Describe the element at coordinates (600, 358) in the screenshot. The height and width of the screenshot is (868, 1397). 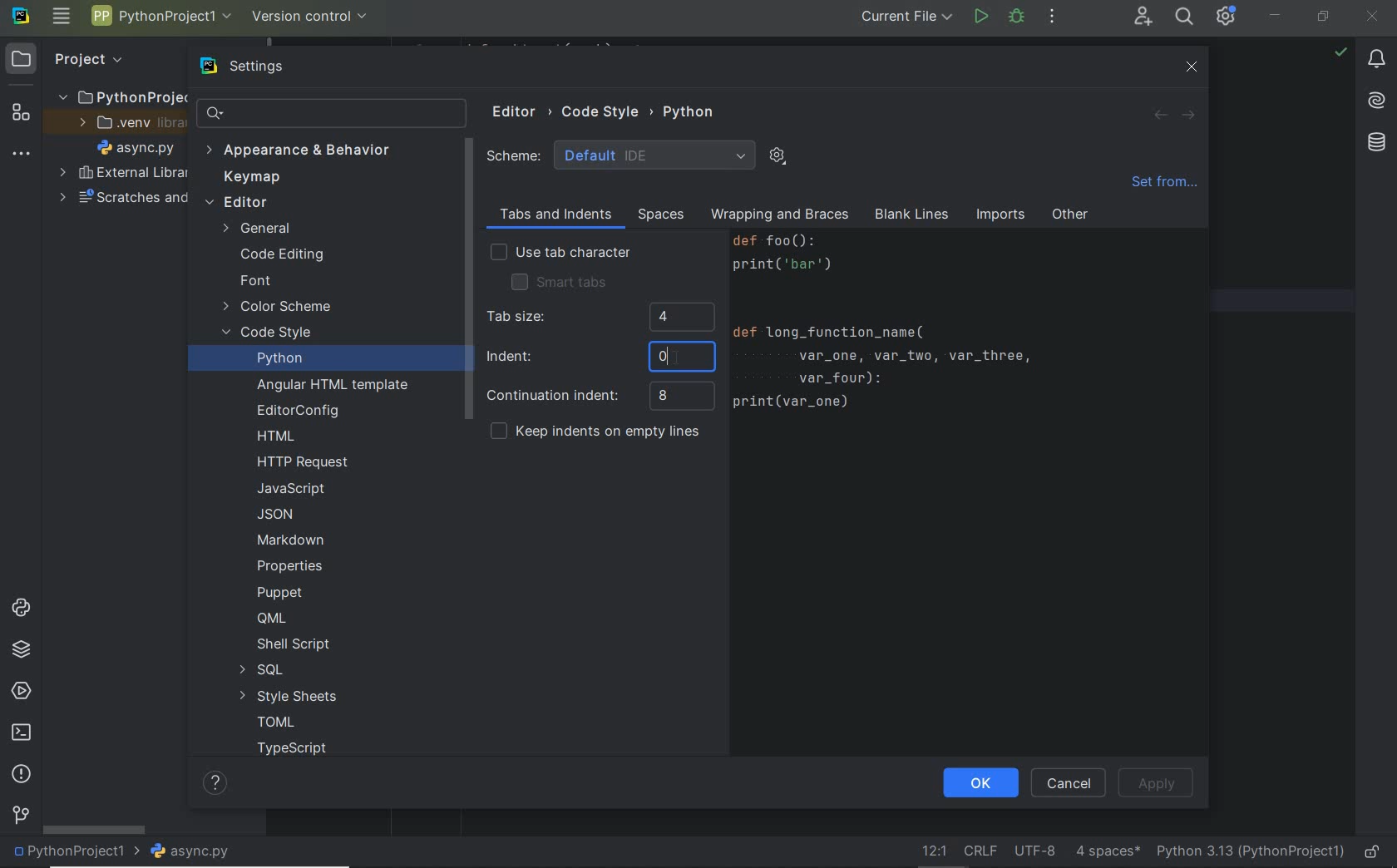
I see `Typing in Indent` at that location.